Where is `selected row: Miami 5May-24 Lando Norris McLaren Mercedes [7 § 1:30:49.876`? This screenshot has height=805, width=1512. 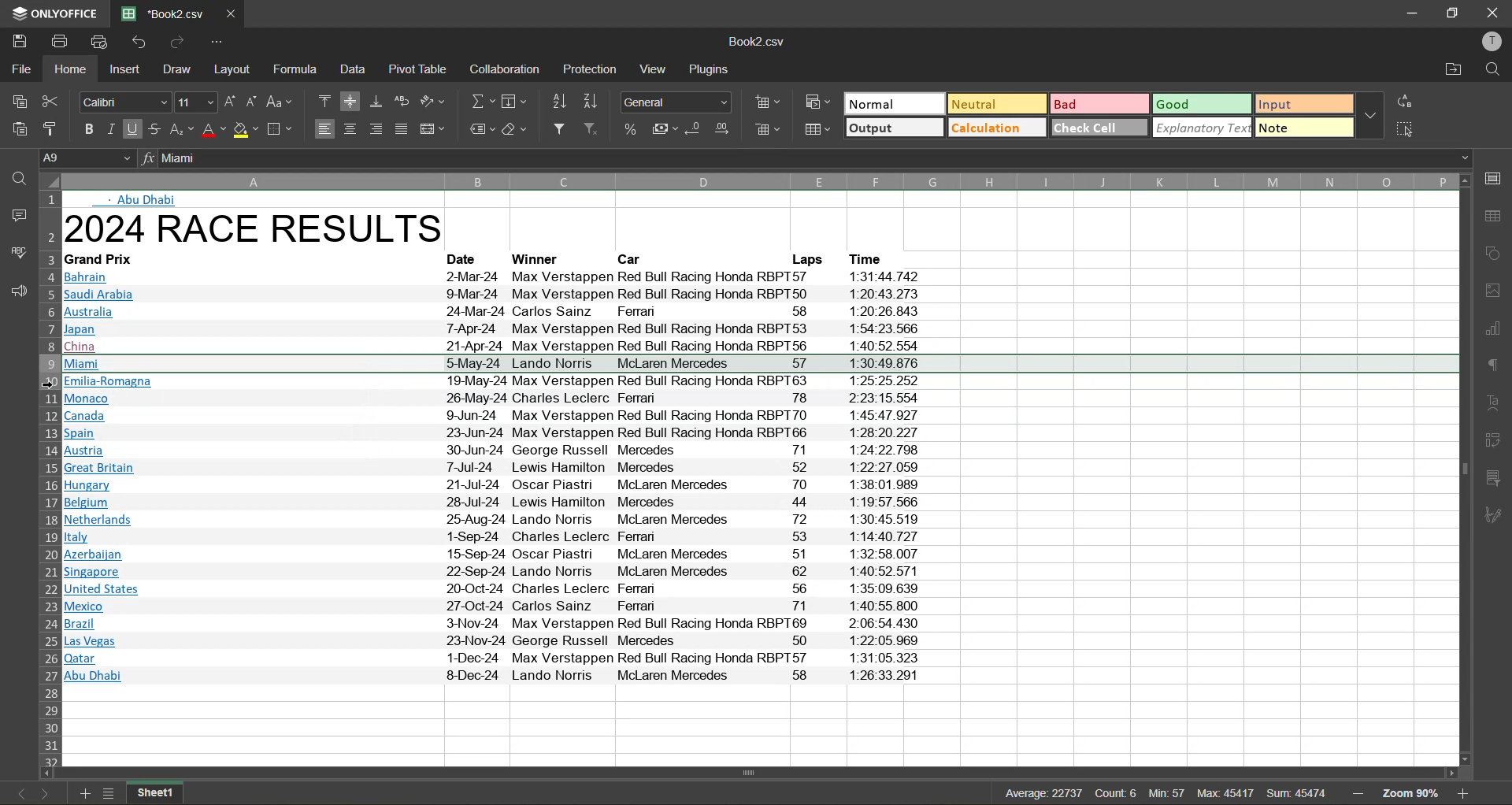
selected row: Miami 5May-24 Lando Norris McLaren Mercedes [7 § 1:30:49.876 is located at coordinates (760, 364).